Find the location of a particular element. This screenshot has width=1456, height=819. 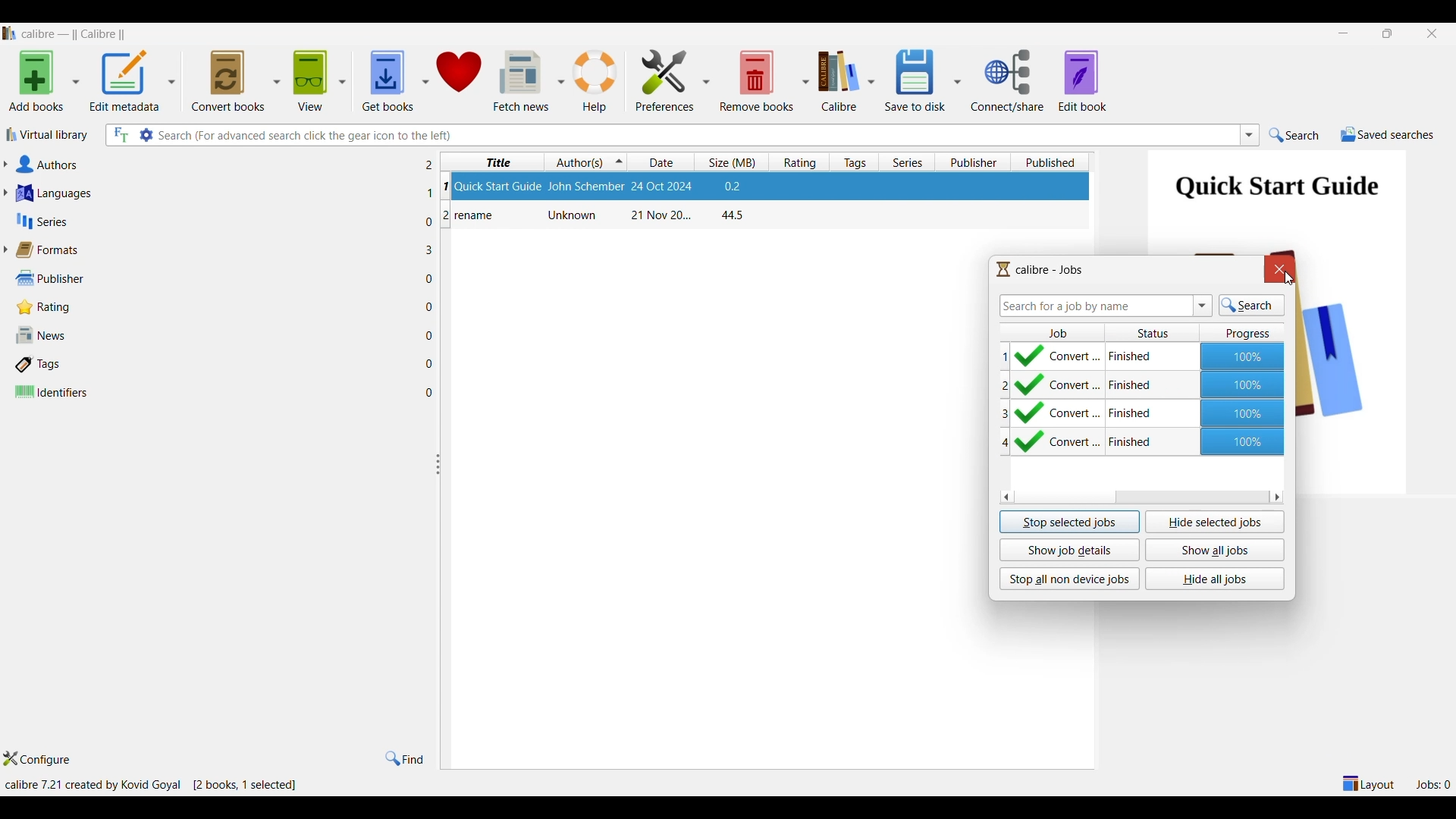

Earlier conversion is located at coordinates (1143, 441).